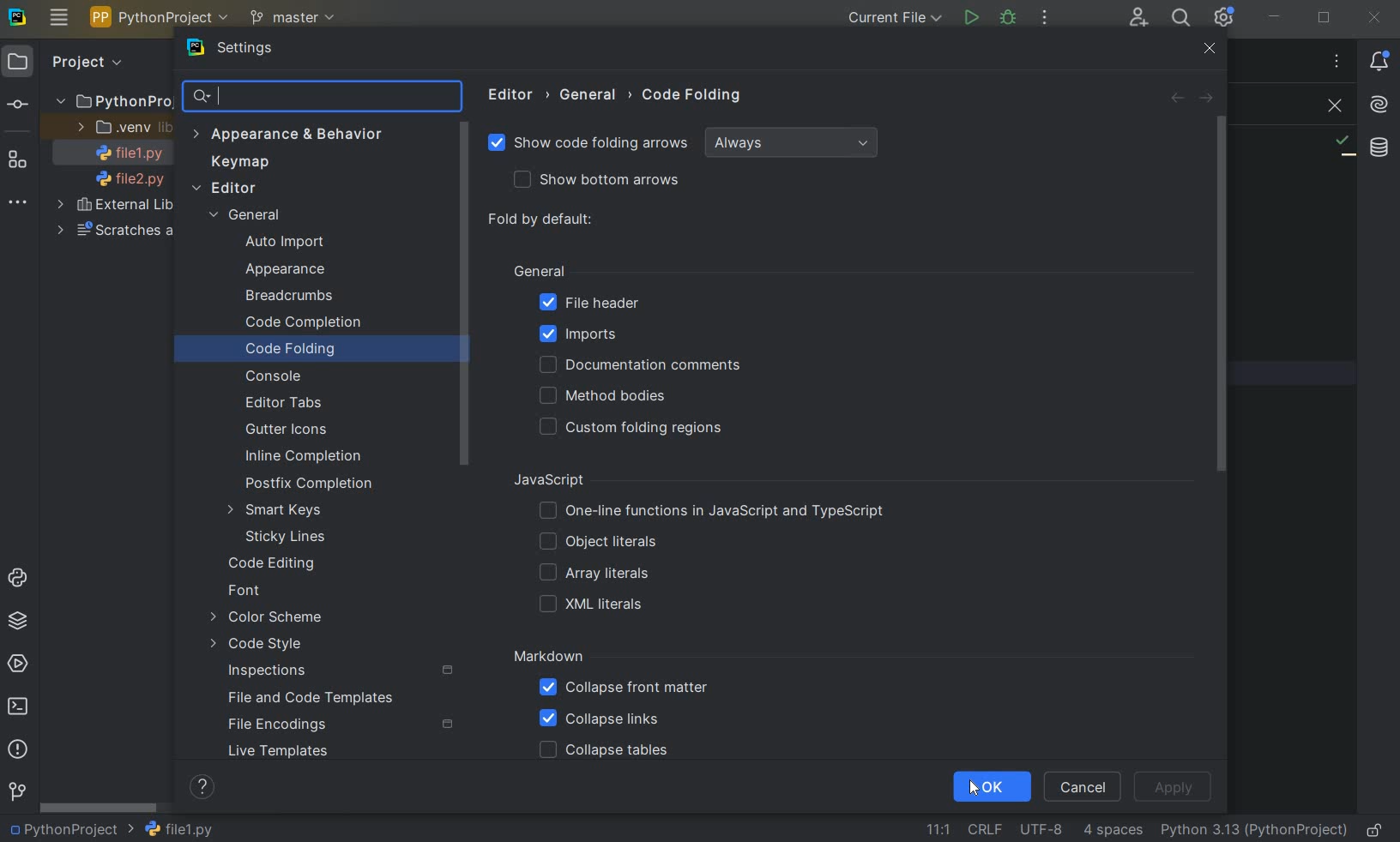 This screenshot has width=1400, height=842. I want to click on PROJECT, so click(67, 63).